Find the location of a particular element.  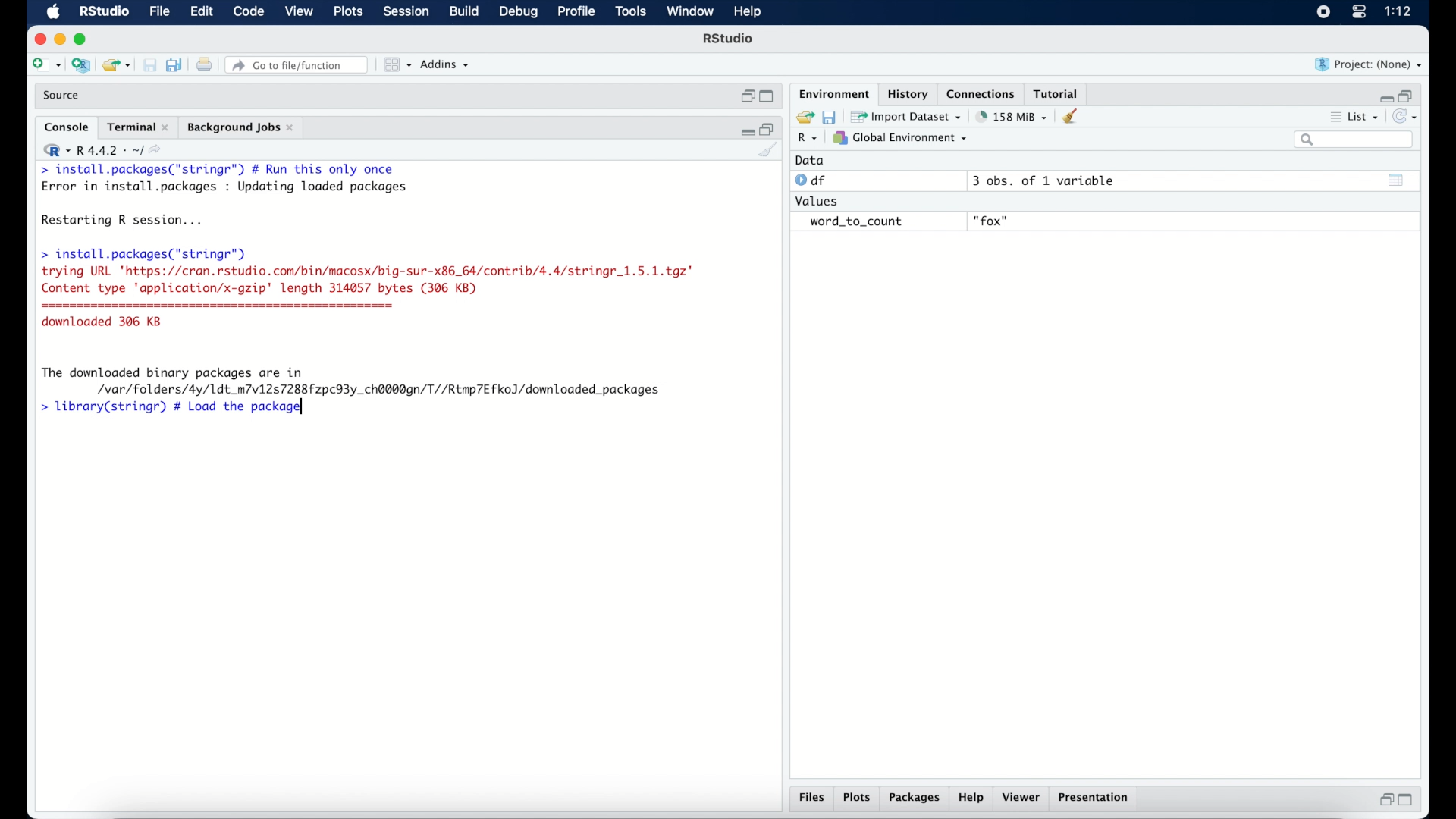

save all document is located at coordinates (177, 66).